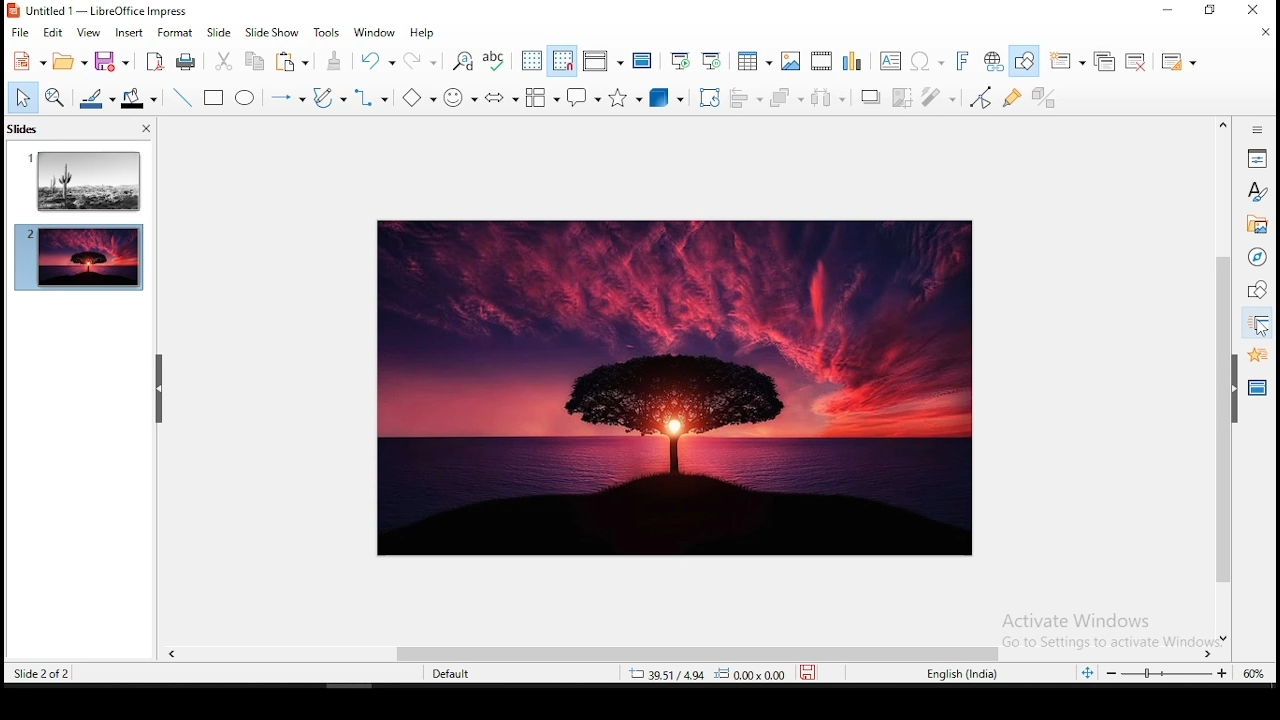 This screenshot has height=720, width=1280. I want to click on line, so click(180, 94).